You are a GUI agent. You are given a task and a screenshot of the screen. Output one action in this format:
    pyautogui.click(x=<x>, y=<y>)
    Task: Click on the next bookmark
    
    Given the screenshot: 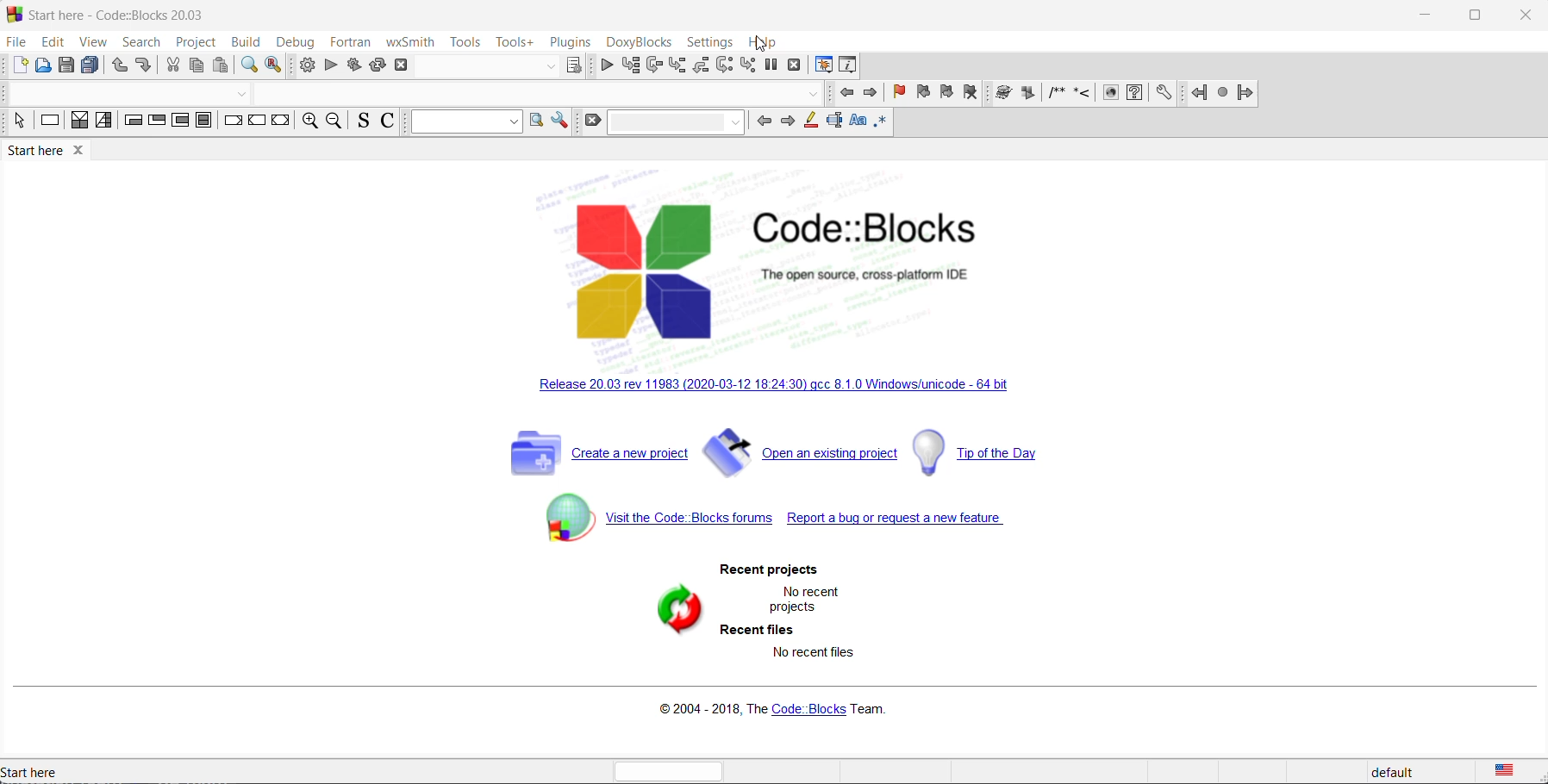 What is the action you would take?
    pyautogui.click(x=946, y=92)
    